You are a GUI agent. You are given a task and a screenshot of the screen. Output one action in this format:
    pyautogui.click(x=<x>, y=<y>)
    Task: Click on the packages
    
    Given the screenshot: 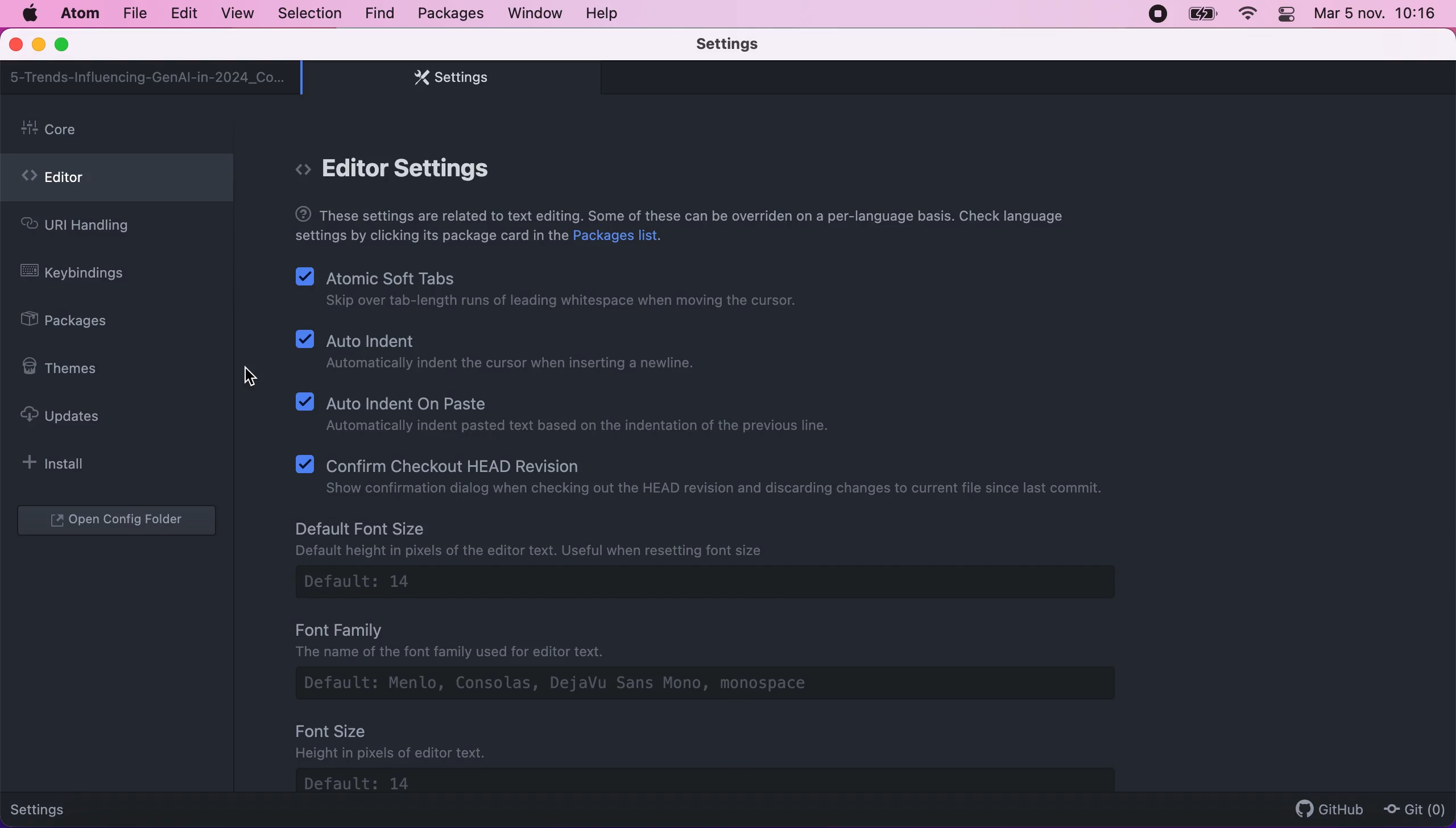 What is the action you would take?
    pyautogui.click(x=449, y=14)
    